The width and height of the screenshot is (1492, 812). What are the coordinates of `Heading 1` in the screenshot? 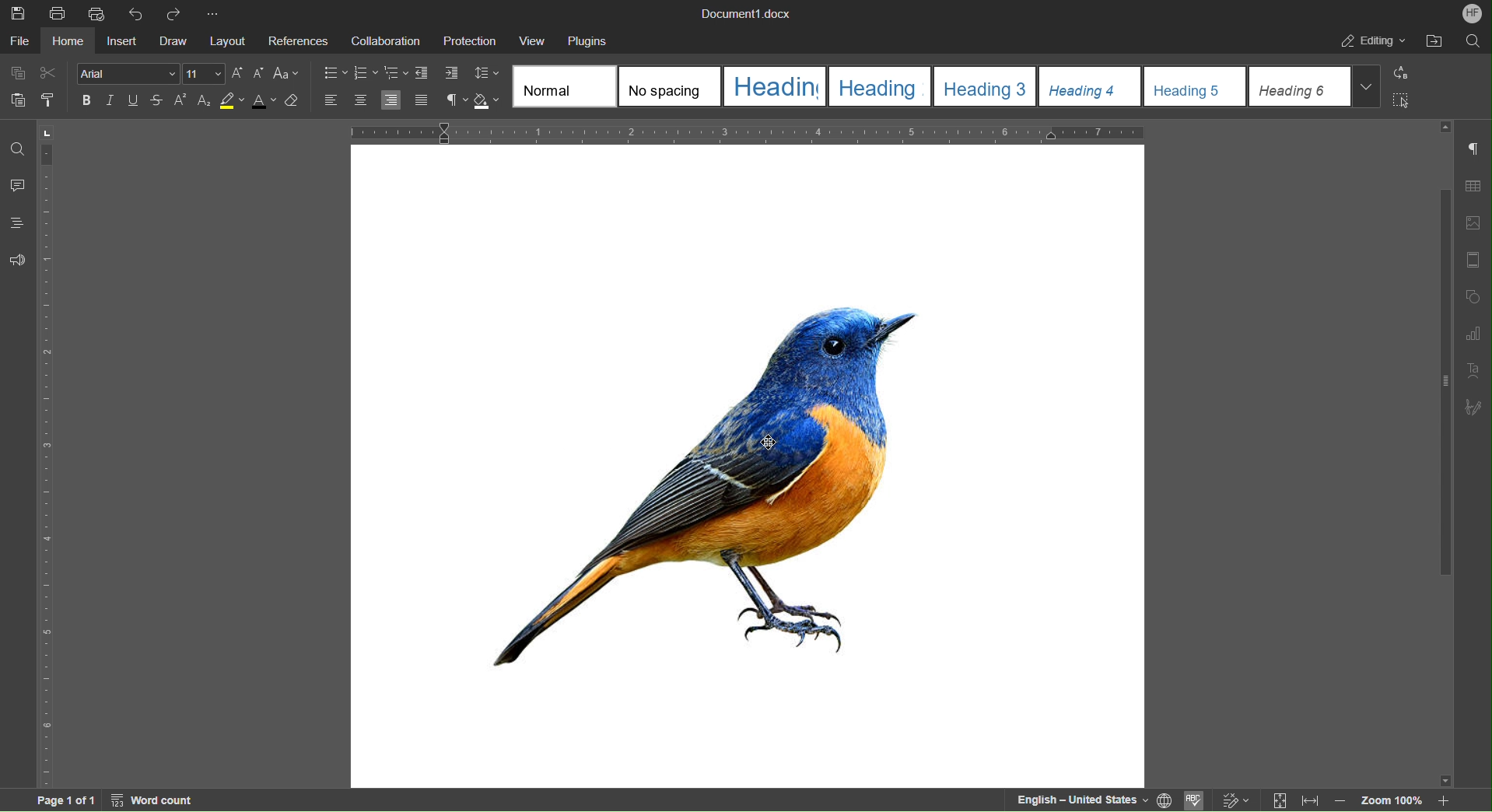 It's located at (775, 86).